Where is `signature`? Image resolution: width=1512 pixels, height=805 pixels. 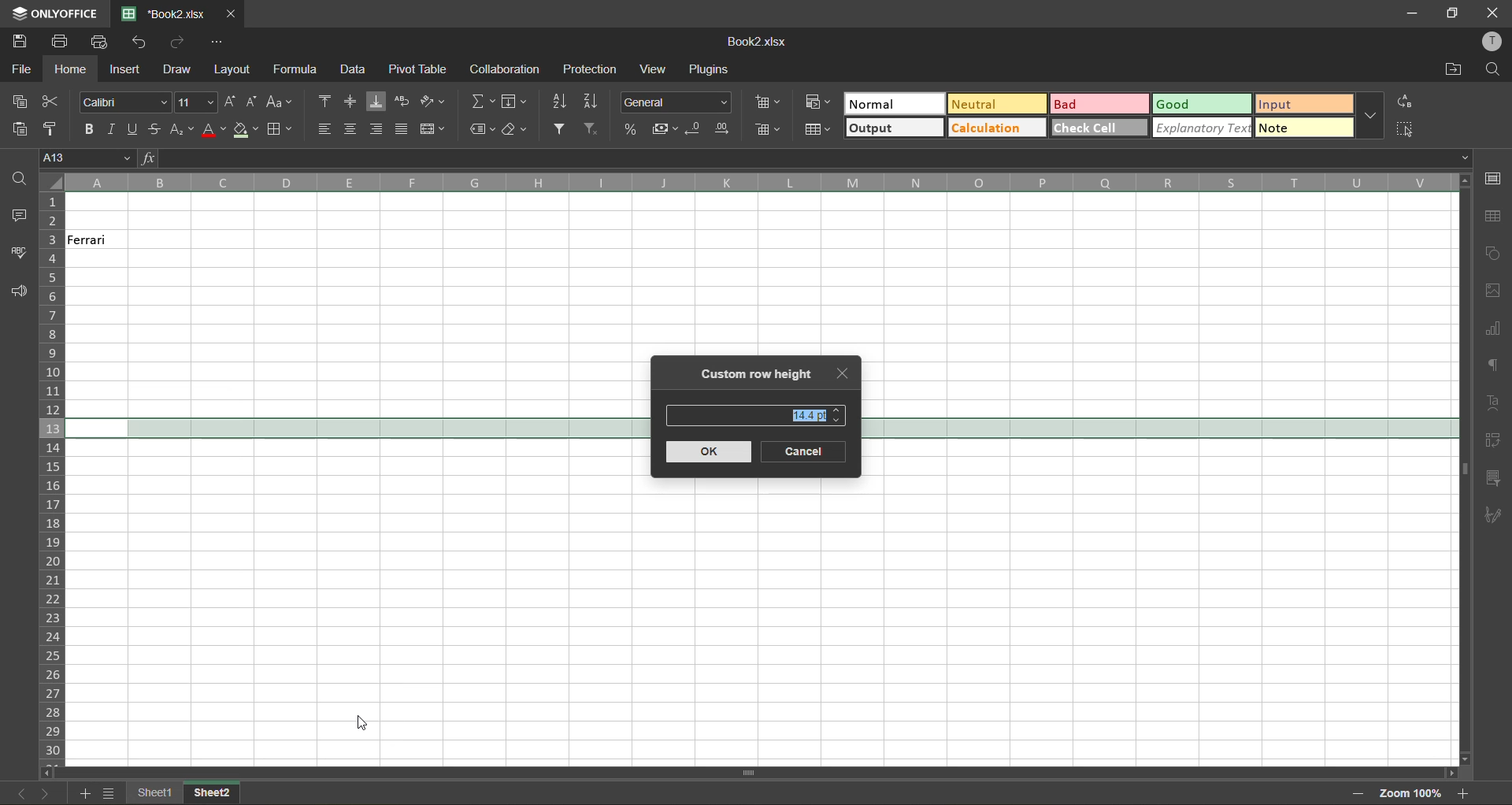 signature is located at coordinates (1497, 514).